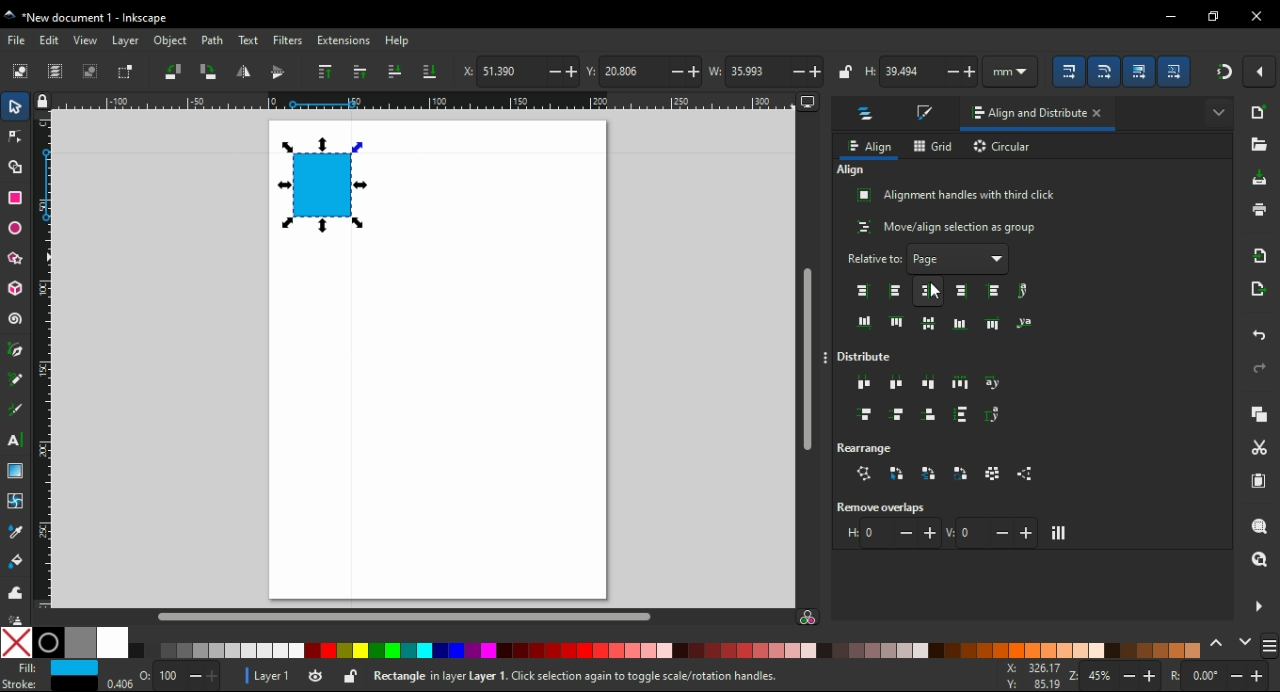  What do you see at coordinates (18, 40) in the screenshot?
I see `file` at bounding box center [18, 40].